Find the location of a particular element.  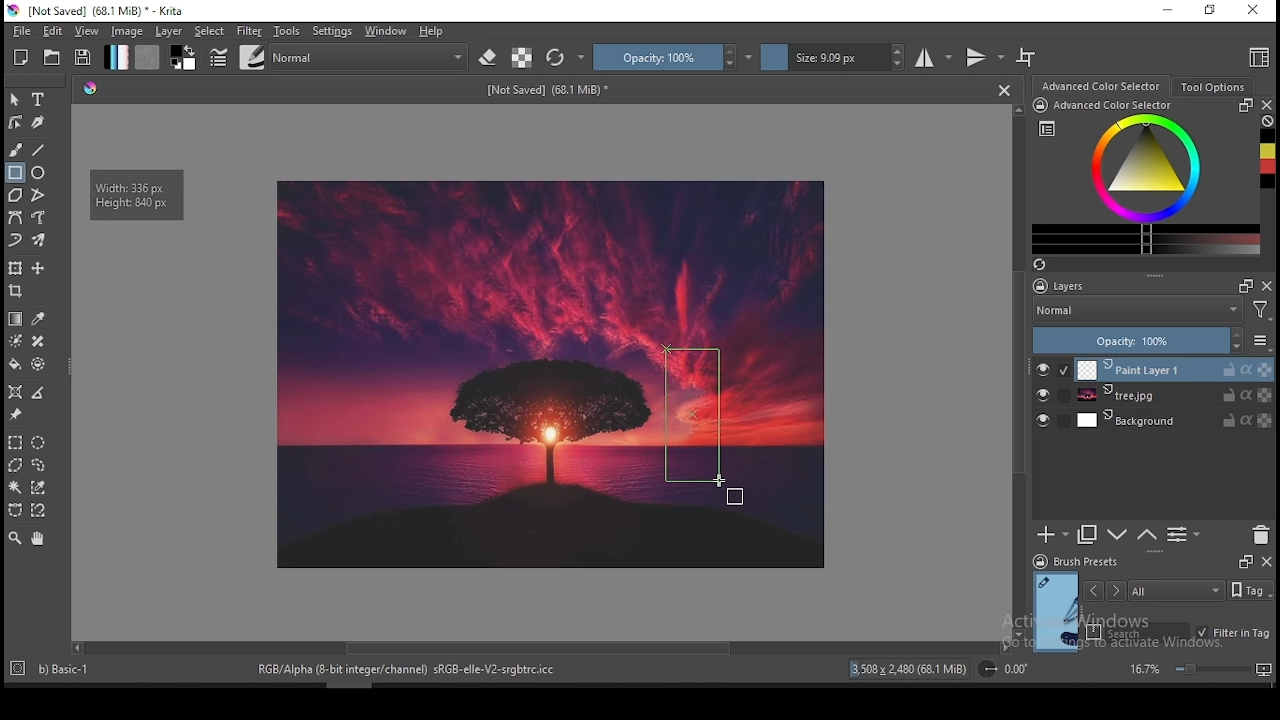

blending mode is located at coordinates (1155, 310).